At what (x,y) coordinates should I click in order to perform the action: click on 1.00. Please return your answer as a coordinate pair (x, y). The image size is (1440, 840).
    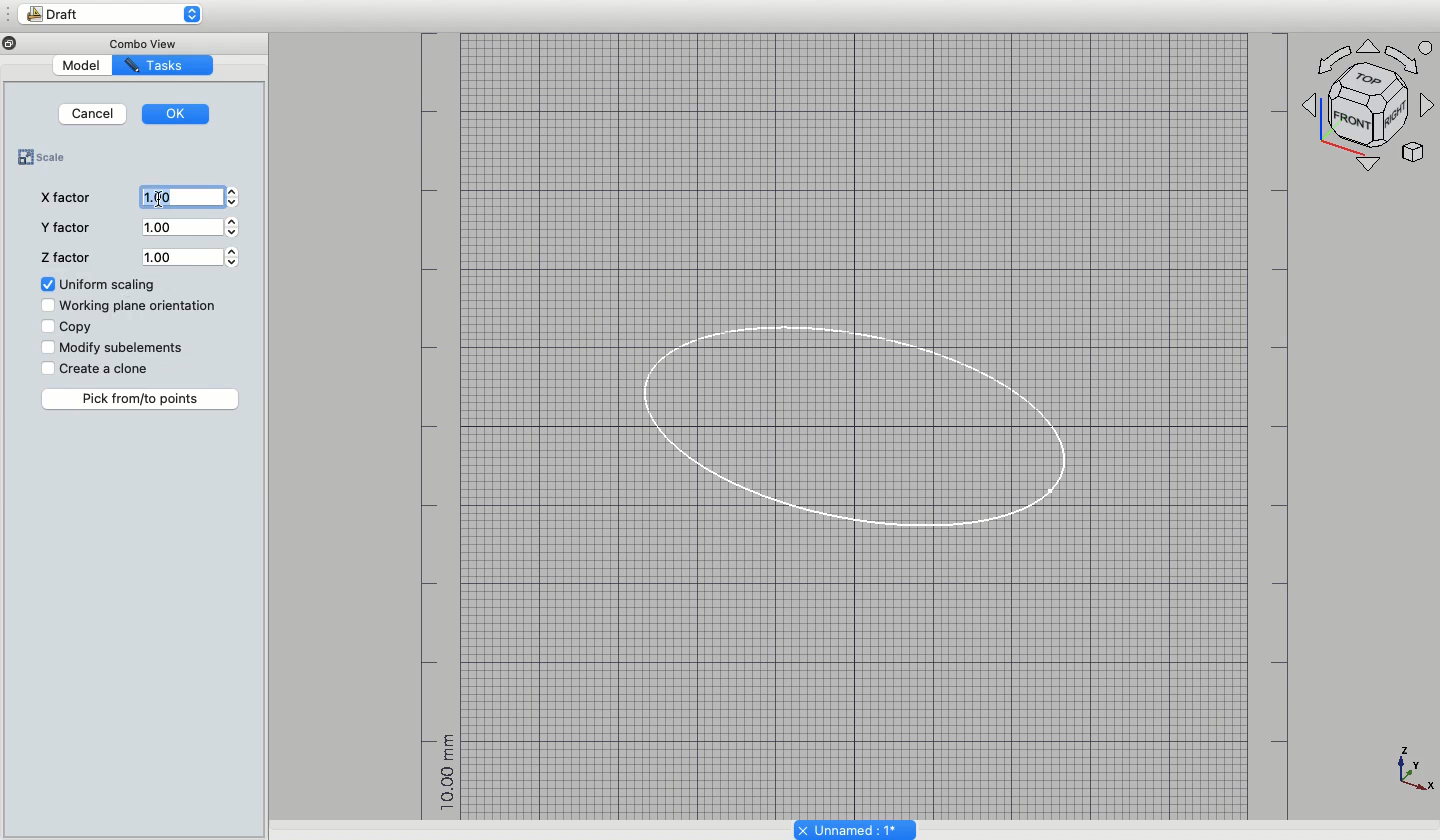
    Looking at the image, I should click on (189, 196).